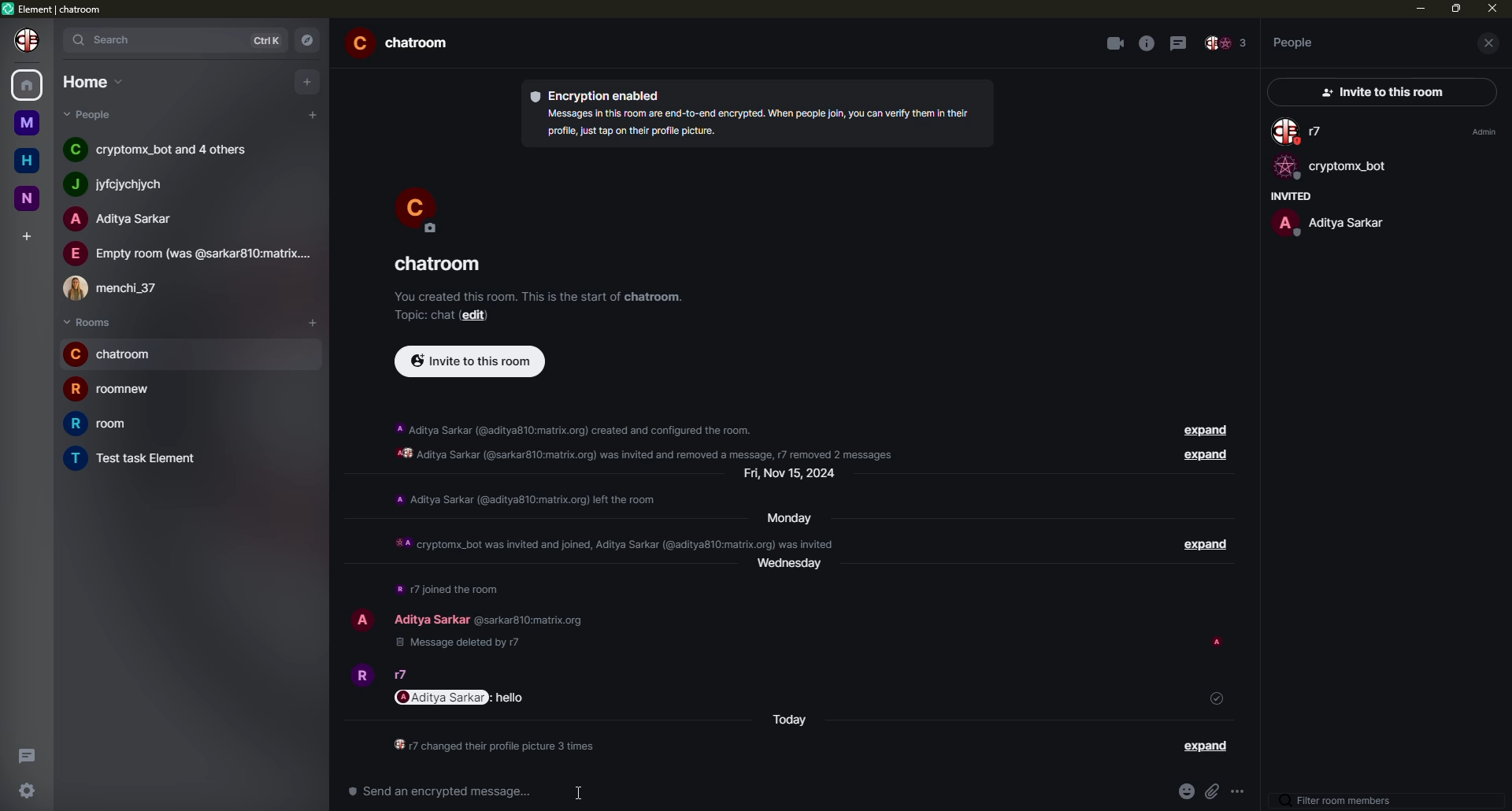 The image size is (1512, 811). What do you see at coordinates (784, 517) in the screenshot?
I see `day` at bounding box center [784, 517].